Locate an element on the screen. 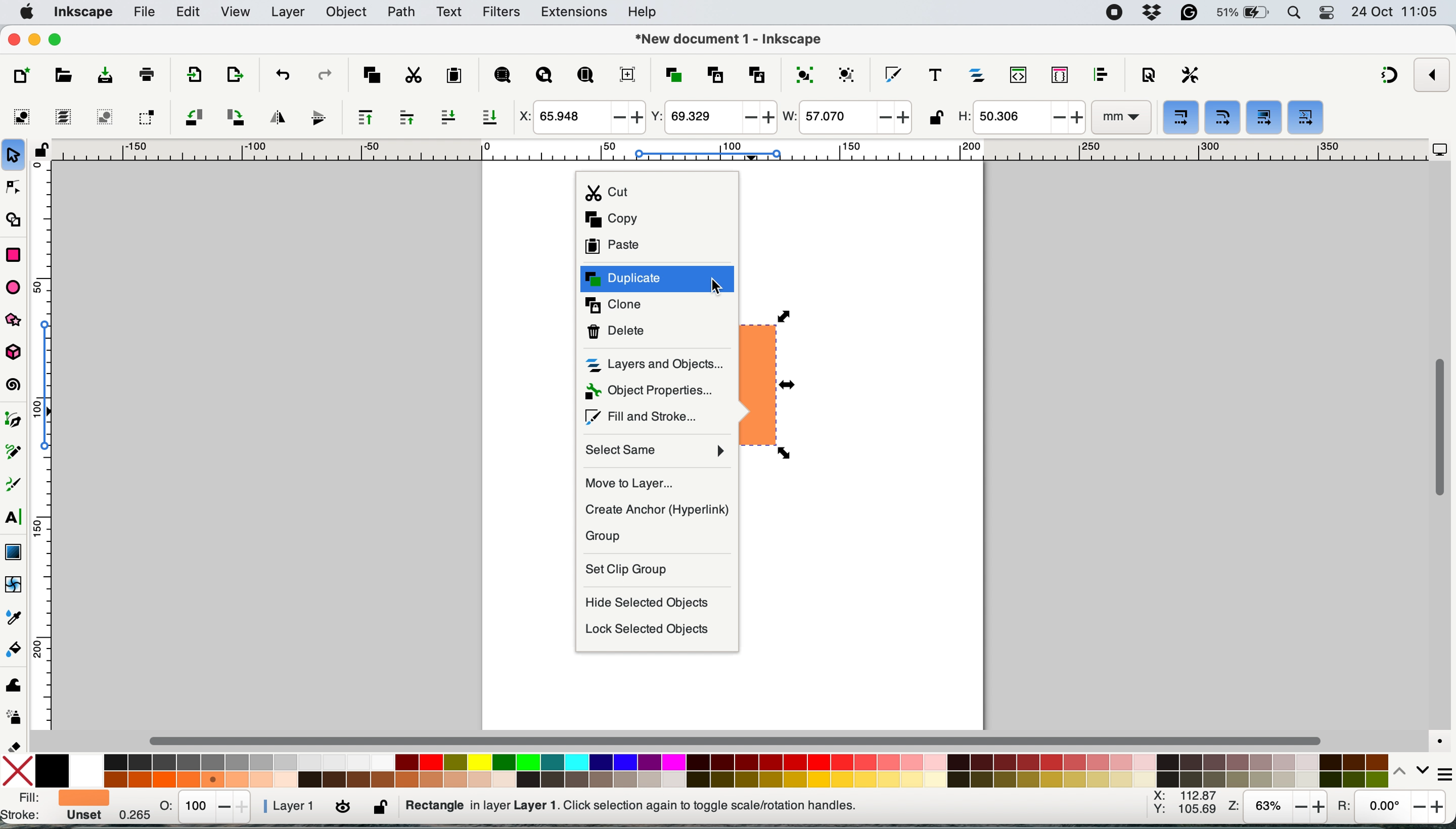 The width and height of the screenshot is (1456, 829). paste is located at coordinates (453, 76).